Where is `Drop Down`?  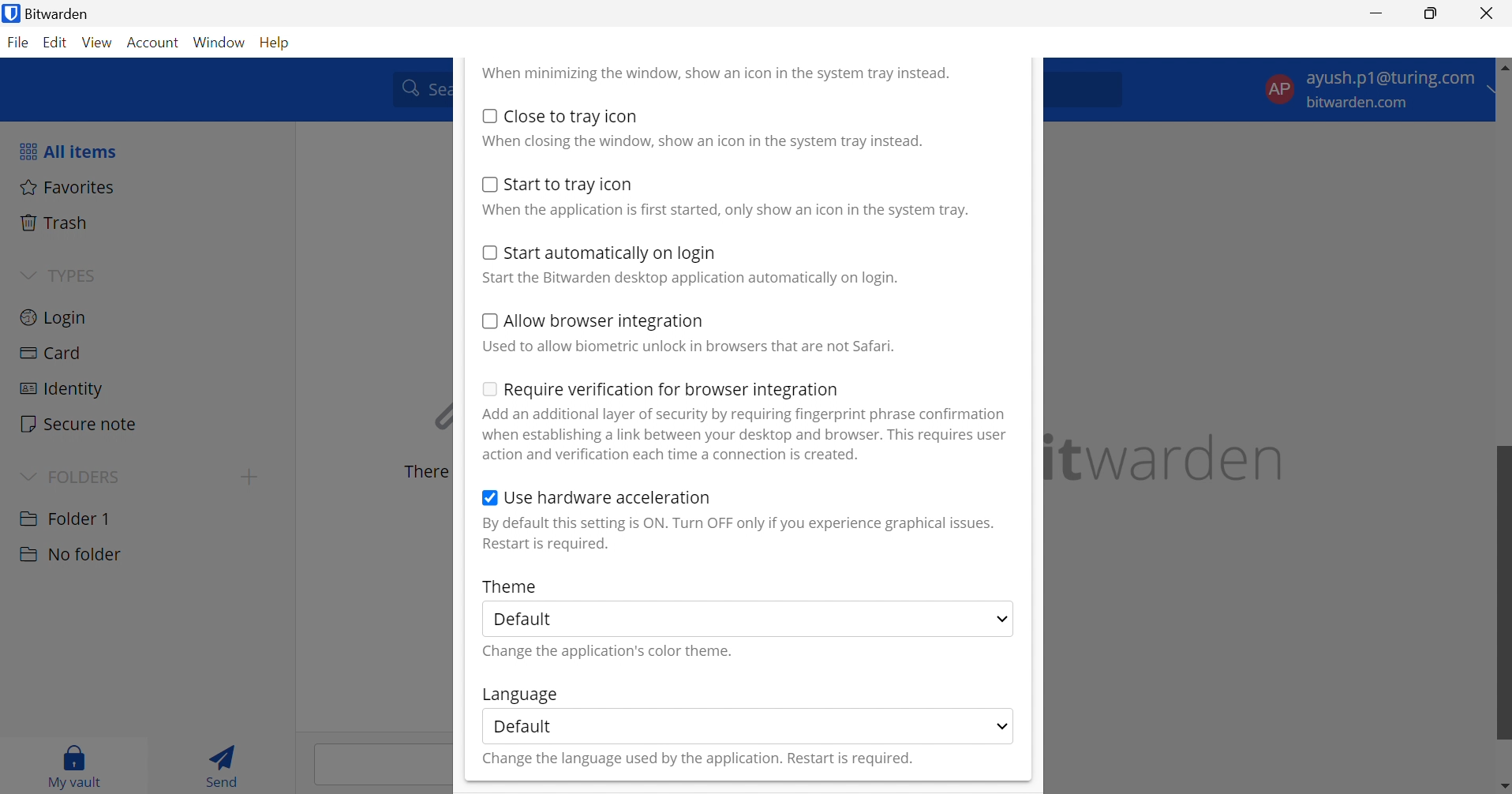
Drop Down is located at coordinates (1499, 77).